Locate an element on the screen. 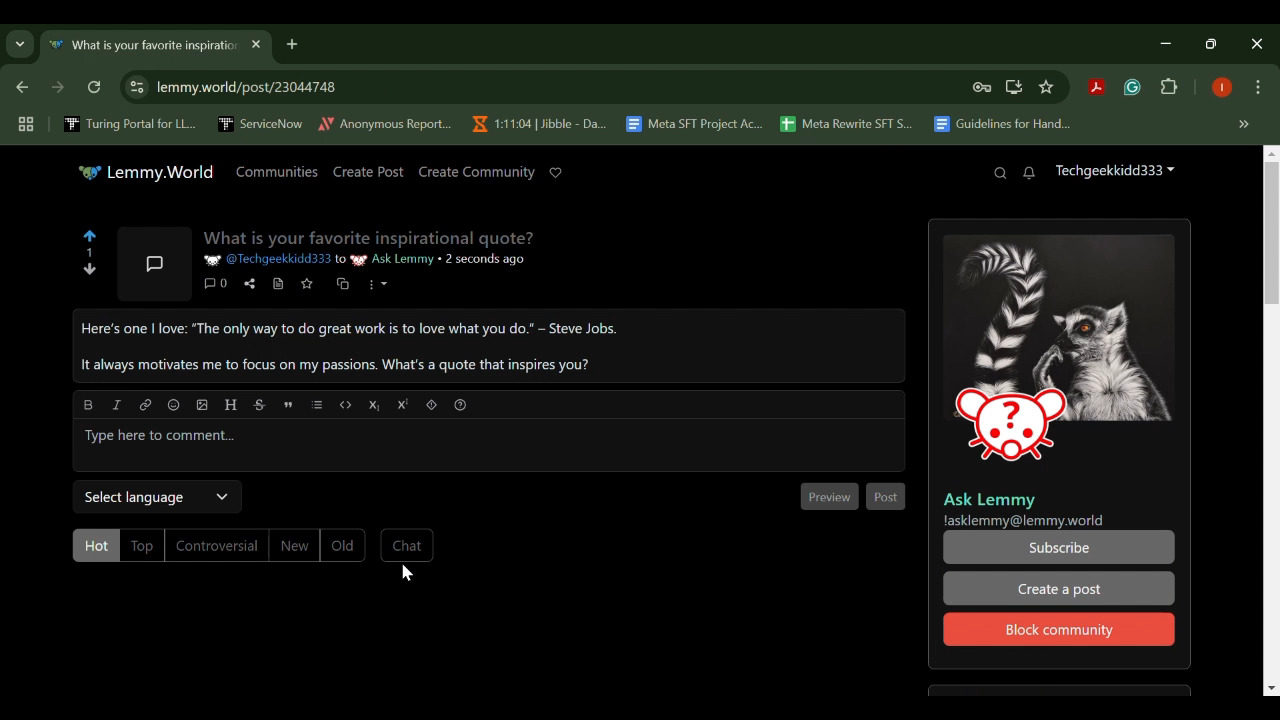  upload image is located at coordinates (204, 405).